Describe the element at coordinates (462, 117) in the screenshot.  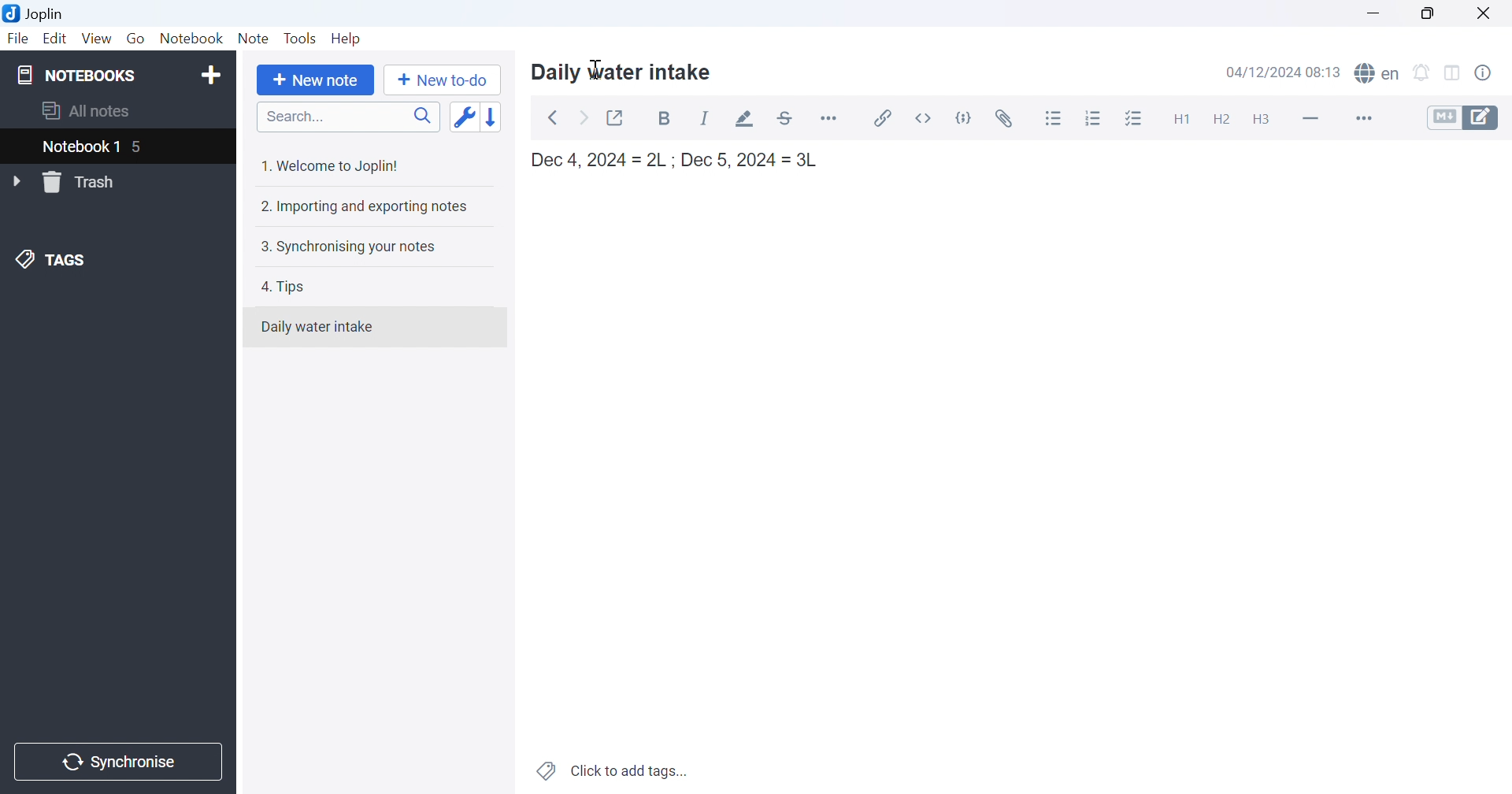
I see `Toggle sort order field` at that location.